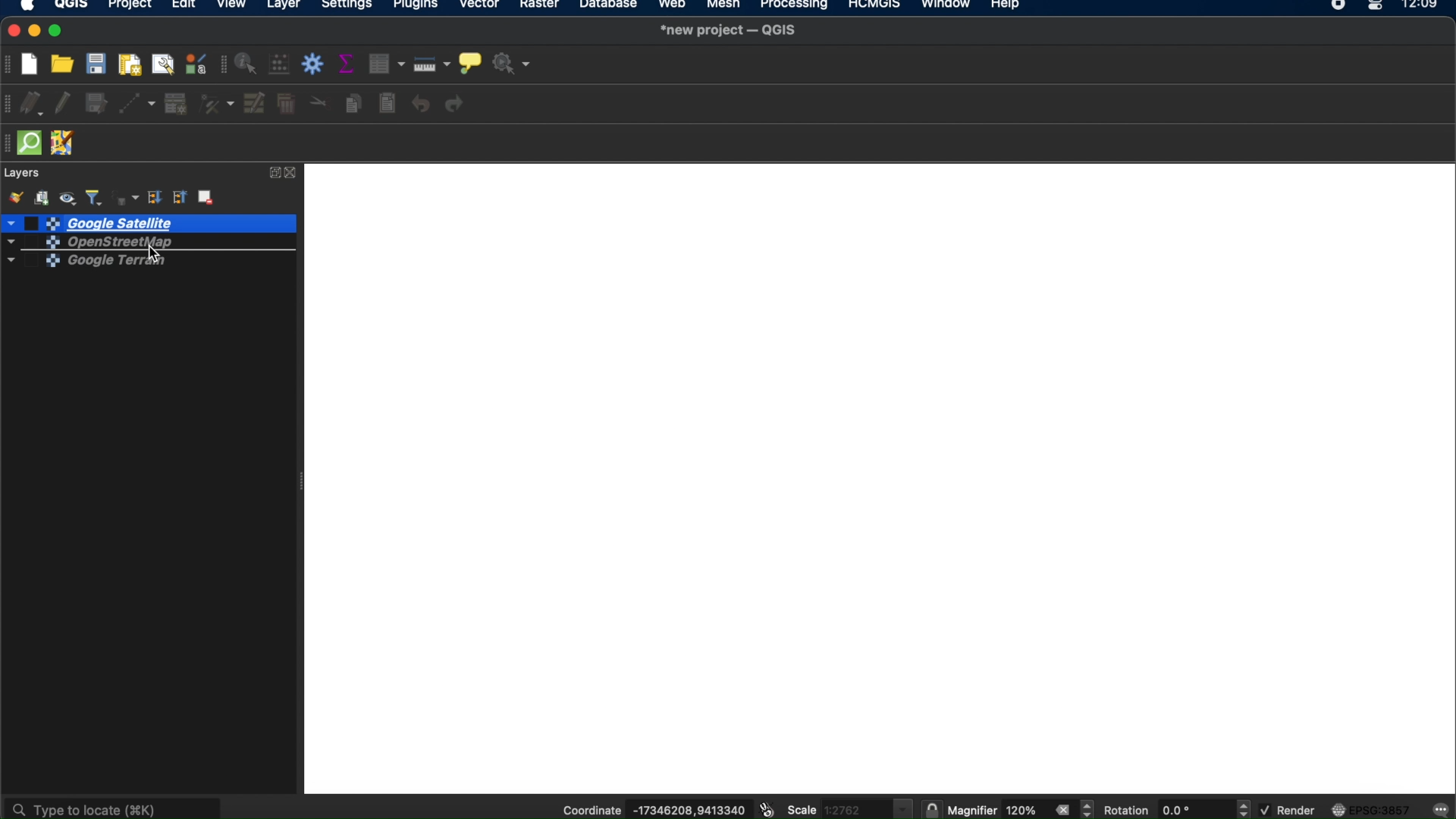 This screenshot has height=819, width=1456. Describe the element at coordinates (148, 223) in the screenshot. I see `google satellite` at that location.